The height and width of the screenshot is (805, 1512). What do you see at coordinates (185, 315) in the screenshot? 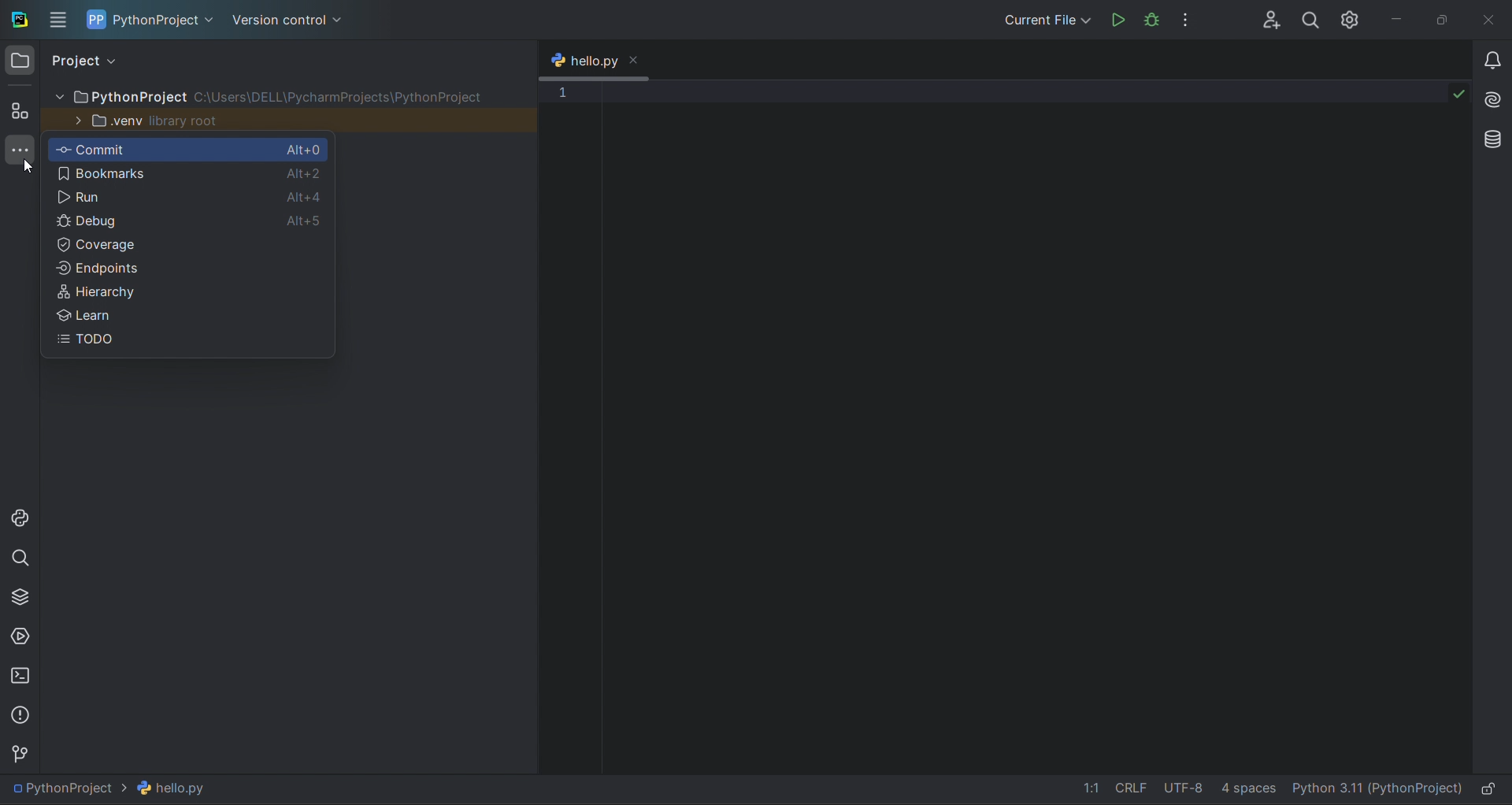
I see `learn` at bounding box center [185, 315].